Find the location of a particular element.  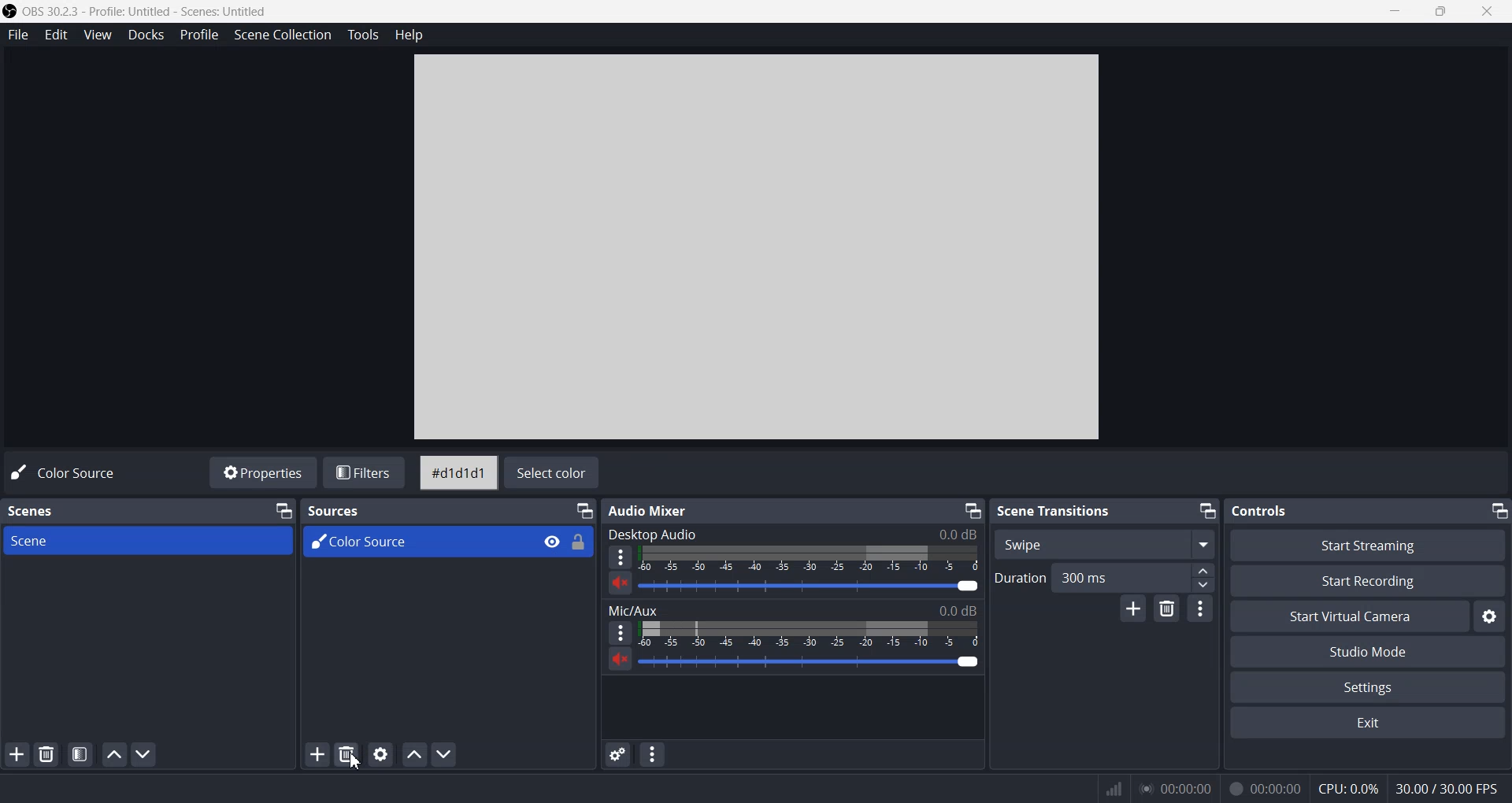

Studio Mode is located at coordinates (1369, 653).